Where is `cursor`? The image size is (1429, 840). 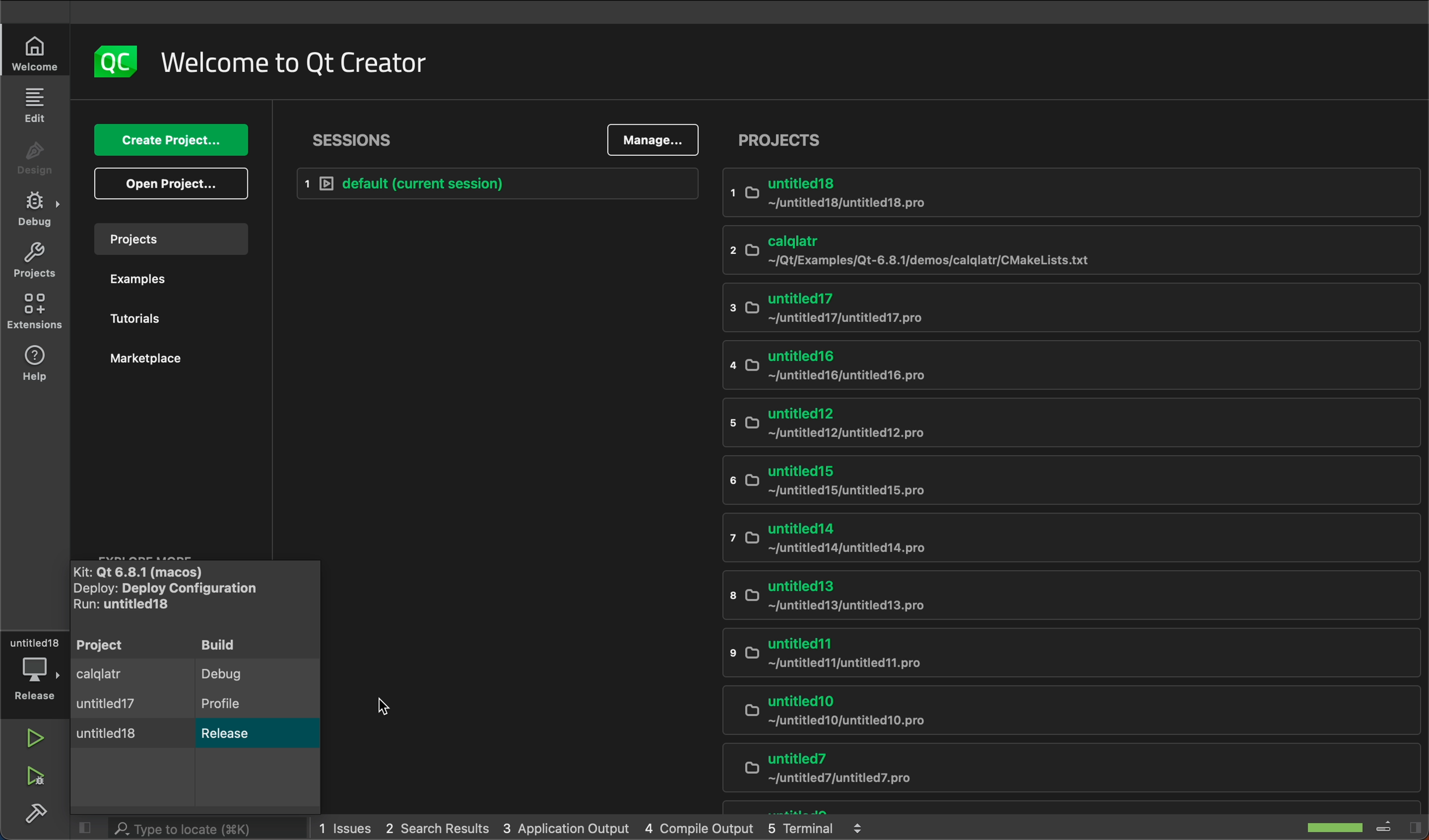
cursor is located at coordinates (377, 711).